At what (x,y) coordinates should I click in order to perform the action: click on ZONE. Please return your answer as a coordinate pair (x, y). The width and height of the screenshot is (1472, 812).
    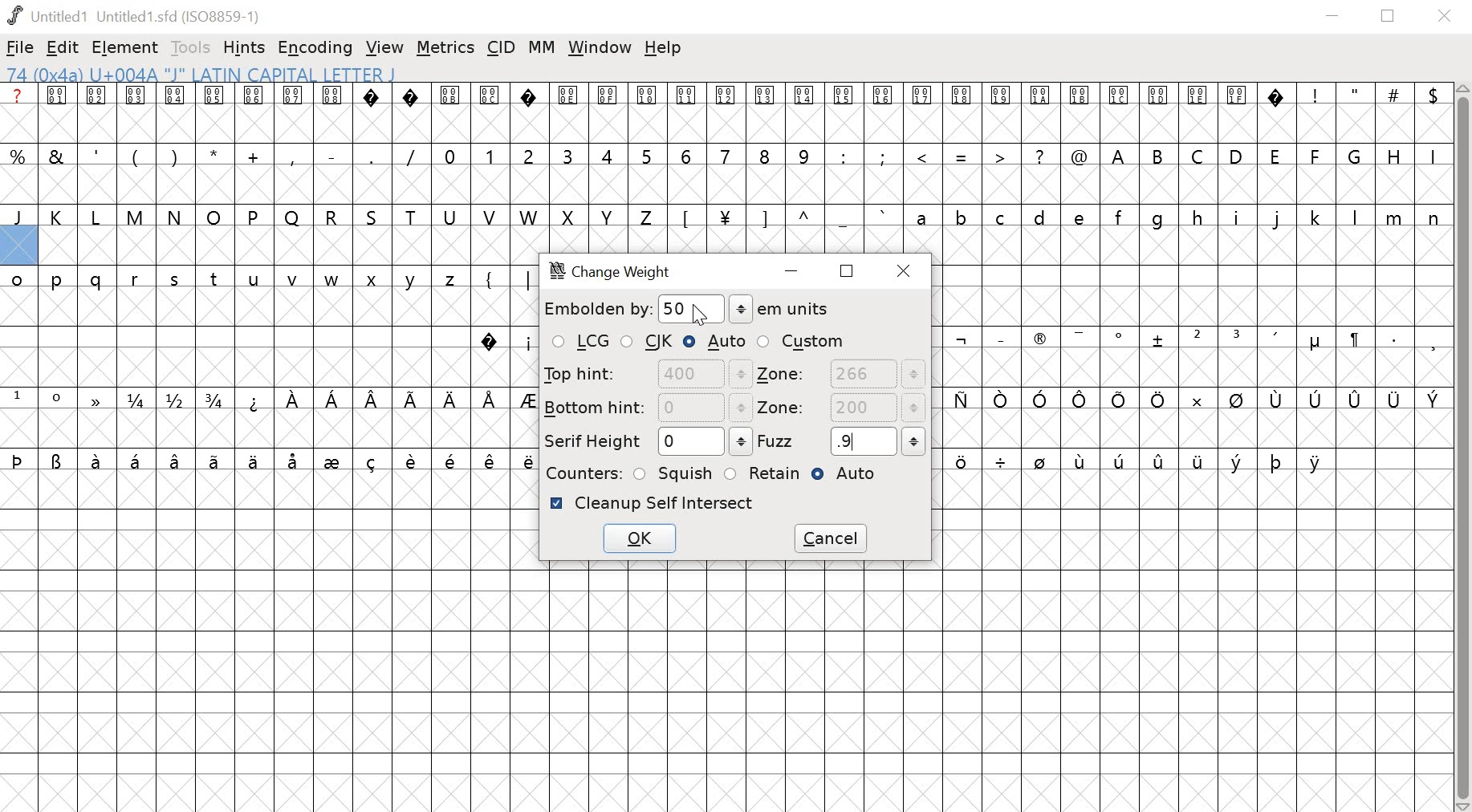
    Looking at the image, I should click on (840, 409).